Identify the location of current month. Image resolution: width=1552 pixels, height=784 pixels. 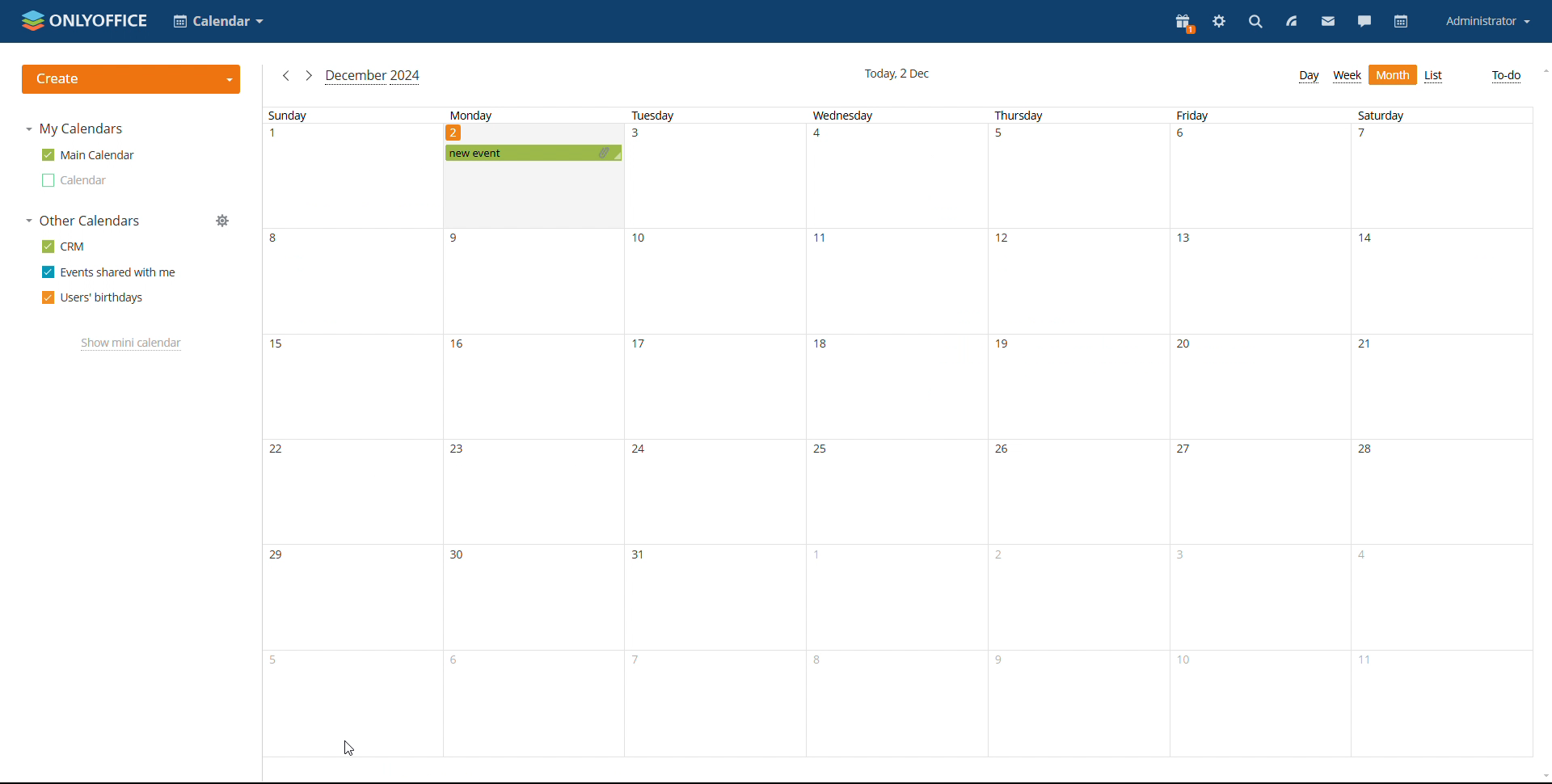
(373, 77).